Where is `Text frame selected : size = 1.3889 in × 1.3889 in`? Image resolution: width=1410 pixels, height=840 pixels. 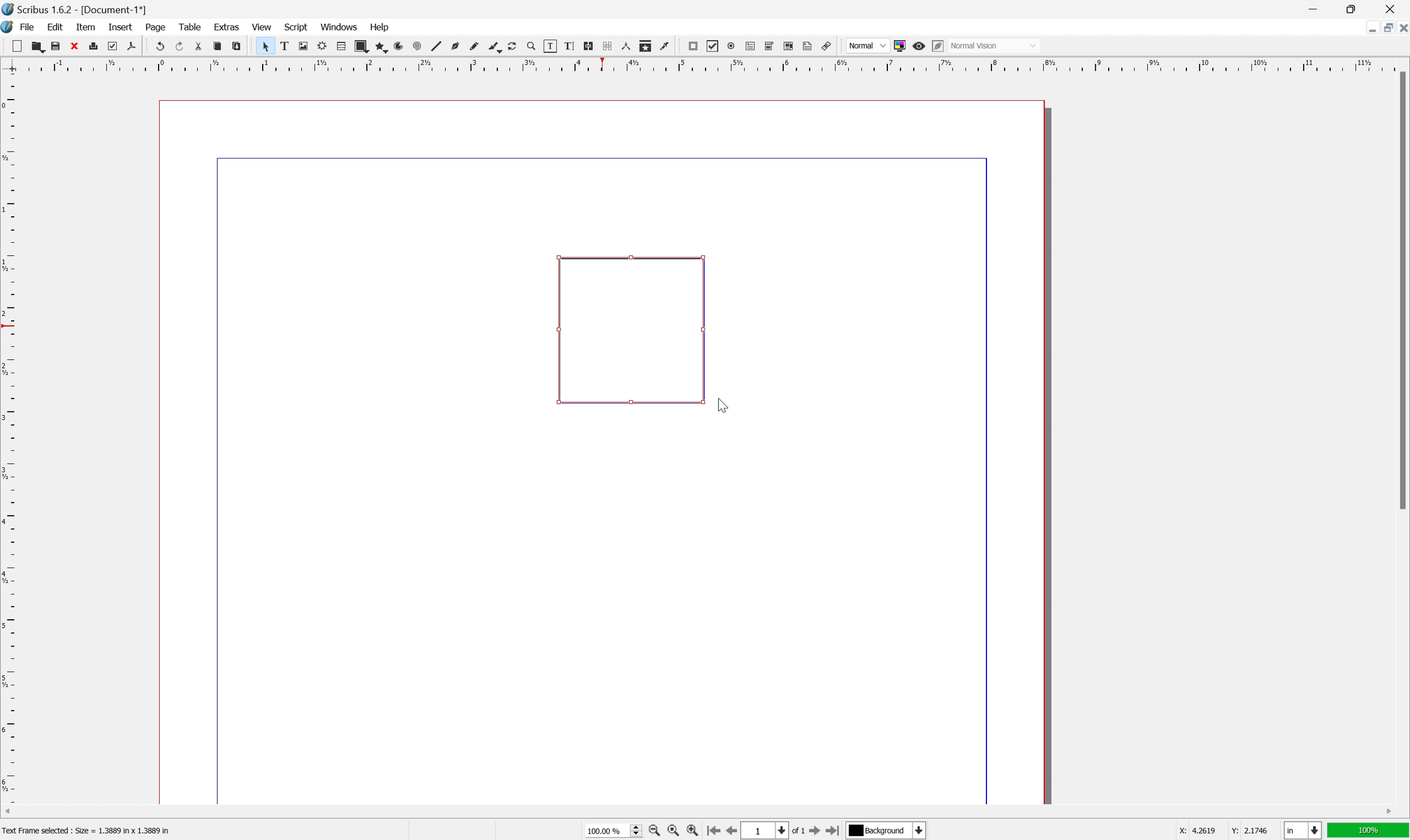
Text frame selected : size = 1.3889 in × 1.3889 in is located at coordinates (88, 829).